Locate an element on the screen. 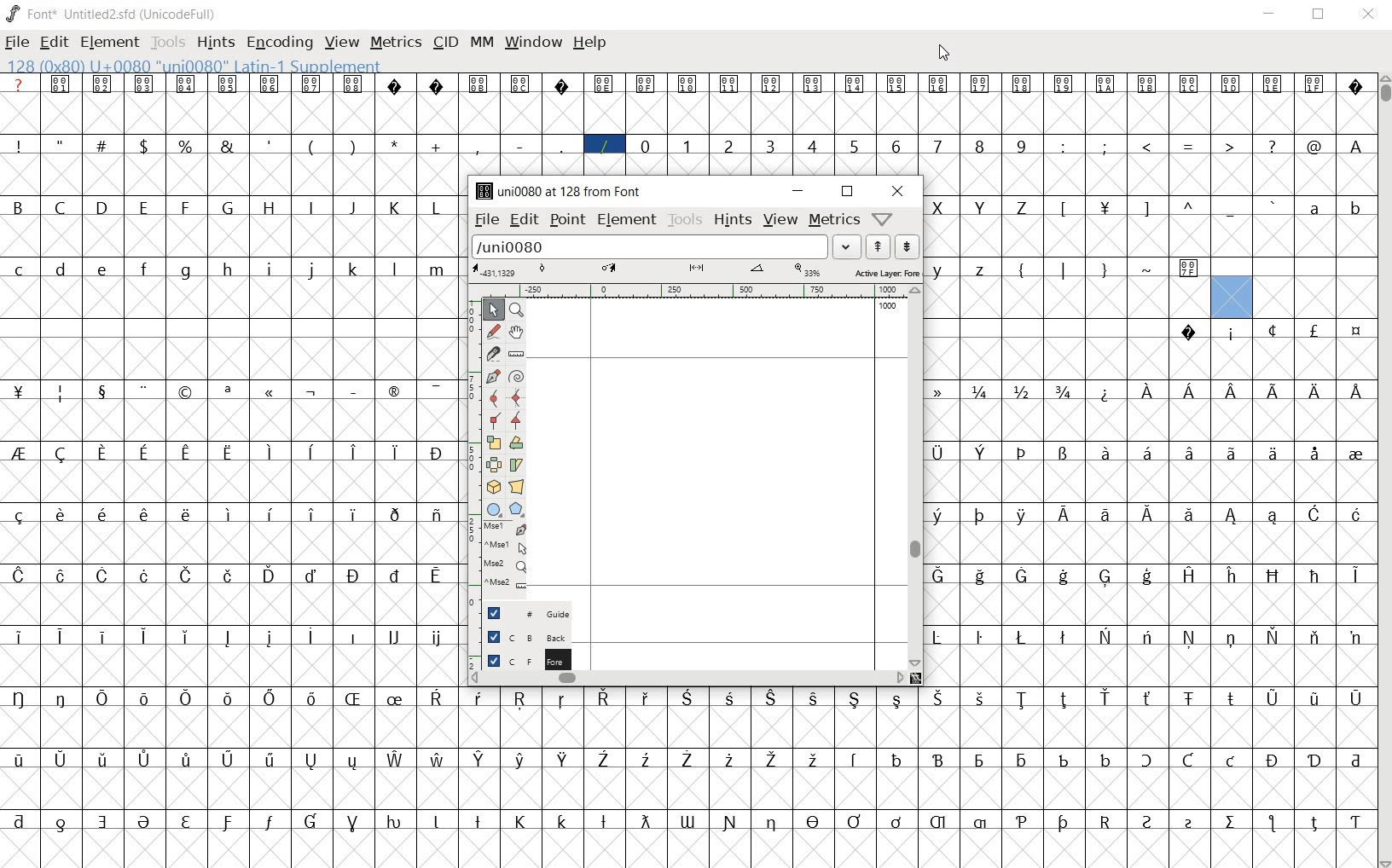  glyph is located at coordinates (687, 822).